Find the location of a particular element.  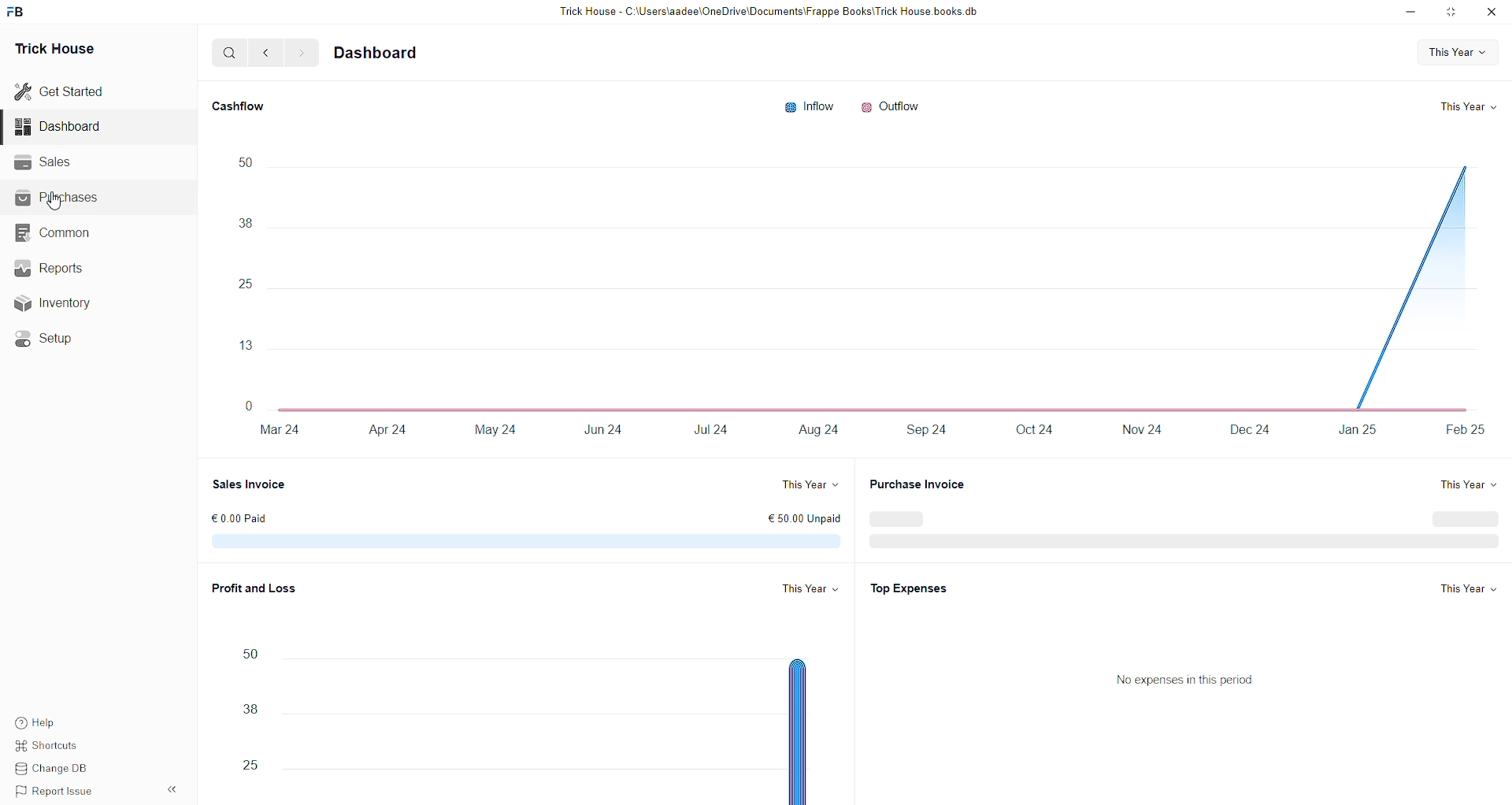

Minimize is located at coordinates (1410, 13).